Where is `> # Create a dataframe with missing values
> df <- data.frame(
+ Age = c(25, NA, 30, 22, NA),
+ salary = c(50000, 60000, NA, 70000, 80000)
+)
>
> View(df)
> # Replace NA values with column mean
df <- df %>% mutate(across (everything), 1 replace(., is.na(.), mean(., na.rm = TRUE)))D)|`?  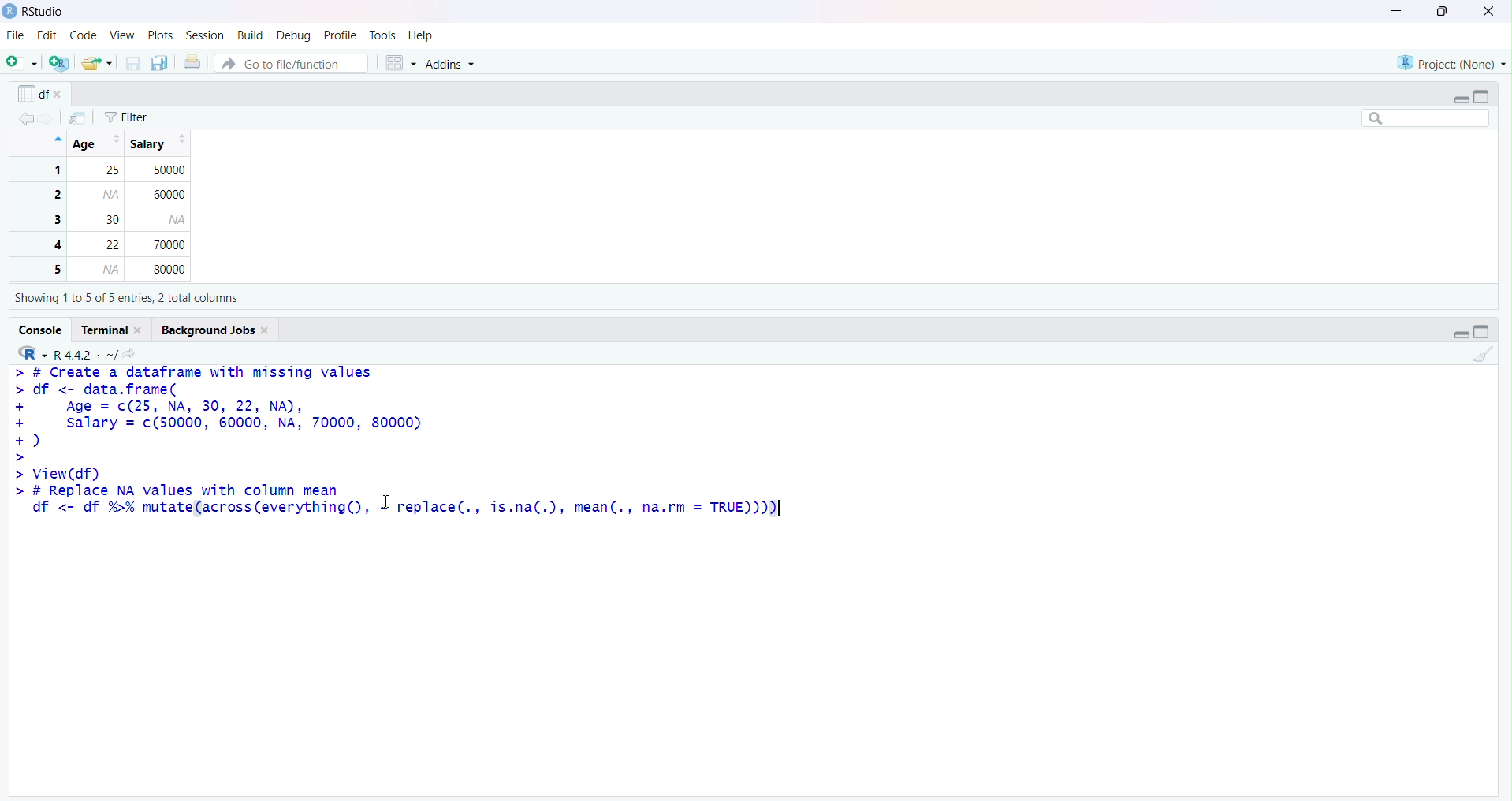
> # Create a dataframe with missing values
> df <- data.frame(
+ Age = c(25, NA, 30, 22, NA),
+ salary = c(50000, 60000, NA, 70000, 80000)
+)
>
> View(df)
> # Replace NA values with column mean
df <- df %>% mutate(across (everything), 1 replace(., is.na(.), mean(., na.rm = TRUE)))D)| is located at coordinates (403, 452).